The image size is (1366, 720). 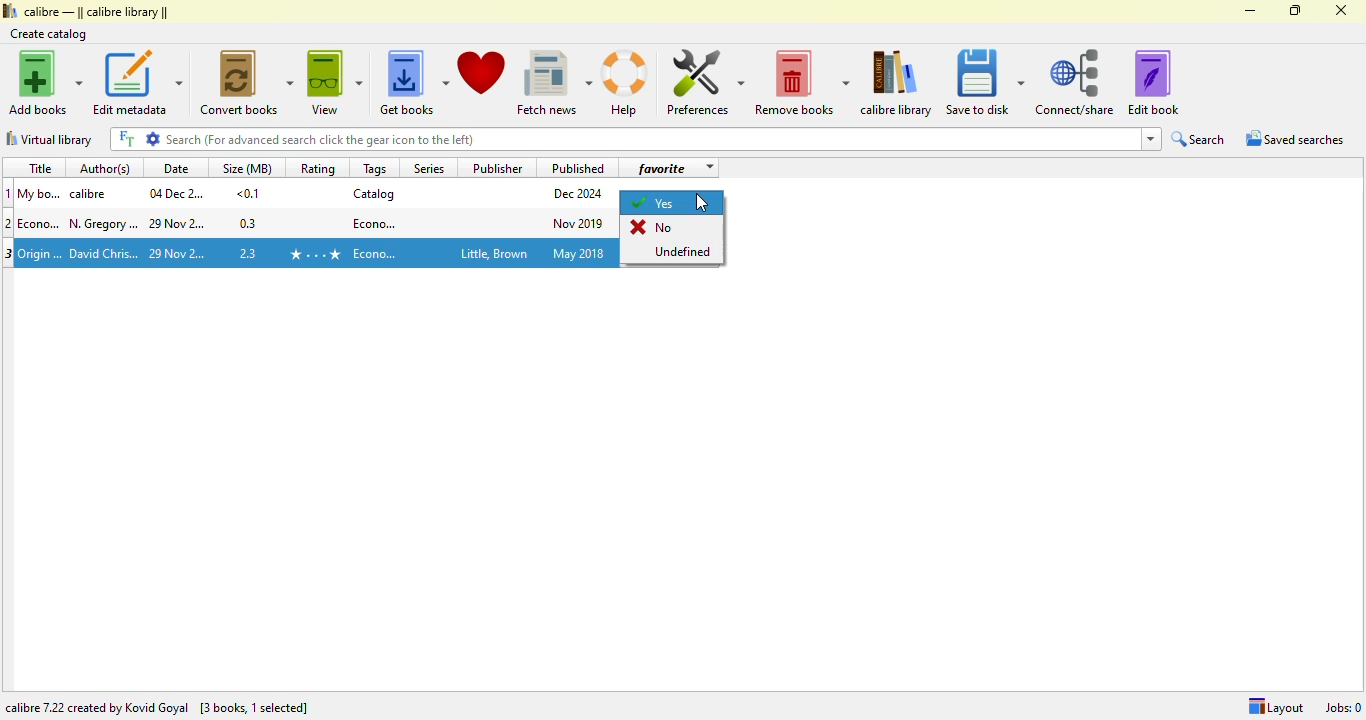 I want to click on saved searches, so click(x=1295, y=138).